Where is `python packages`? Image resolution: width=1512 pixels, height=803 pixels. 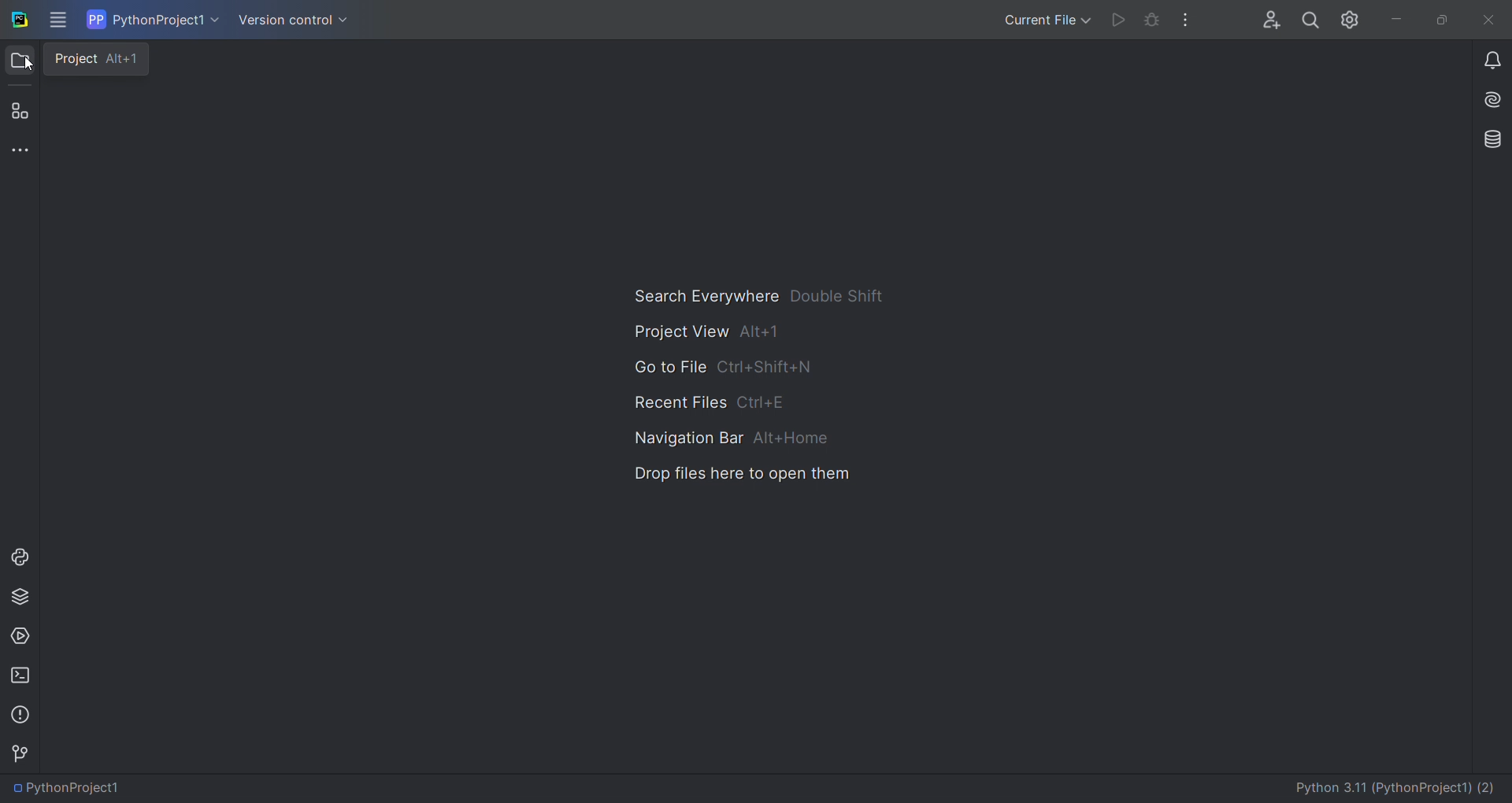 python packages is located at coordinates (20, 598).